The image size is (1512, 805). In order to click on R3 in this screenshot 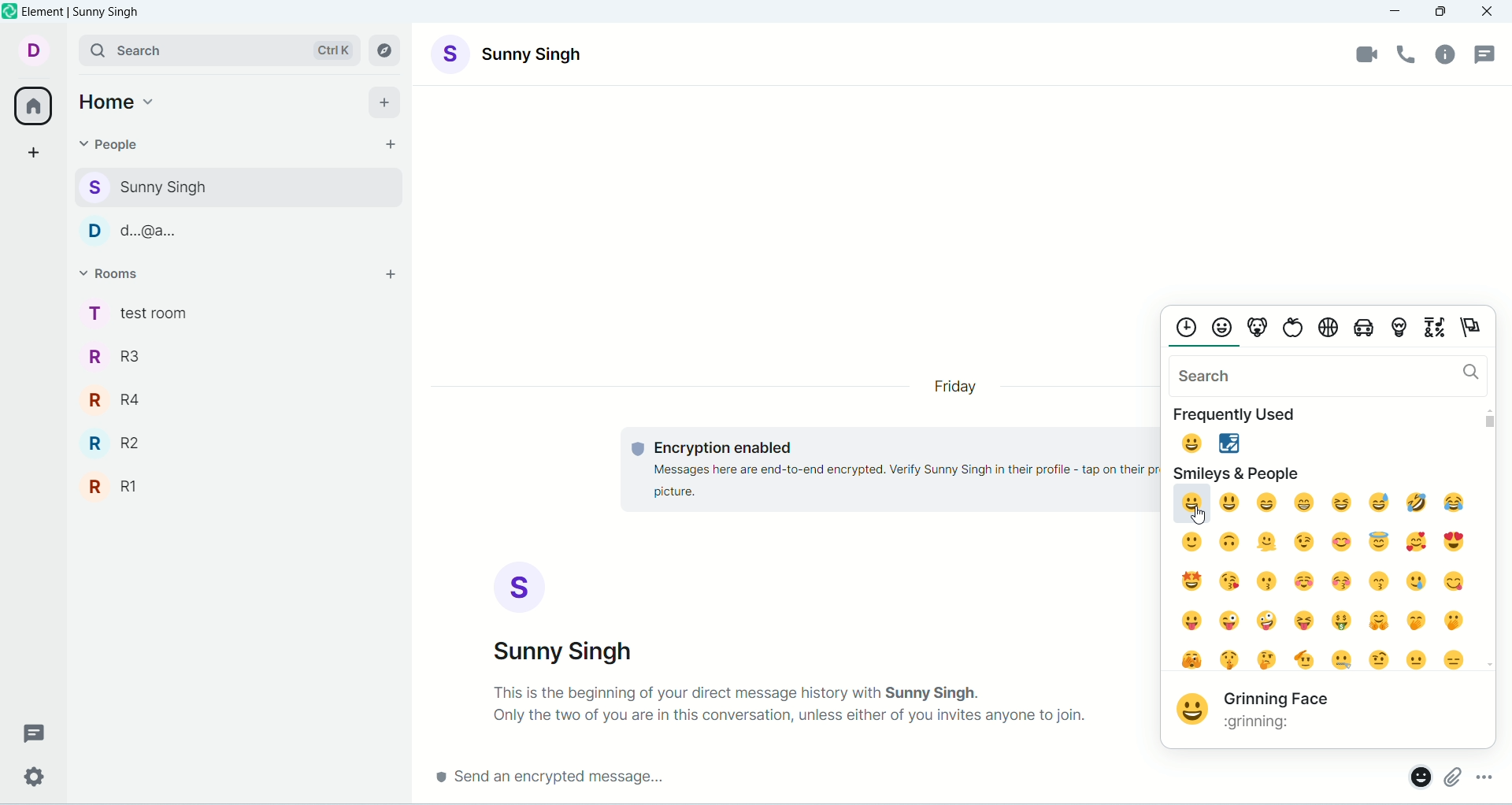, I will do `click(236, 354)`.